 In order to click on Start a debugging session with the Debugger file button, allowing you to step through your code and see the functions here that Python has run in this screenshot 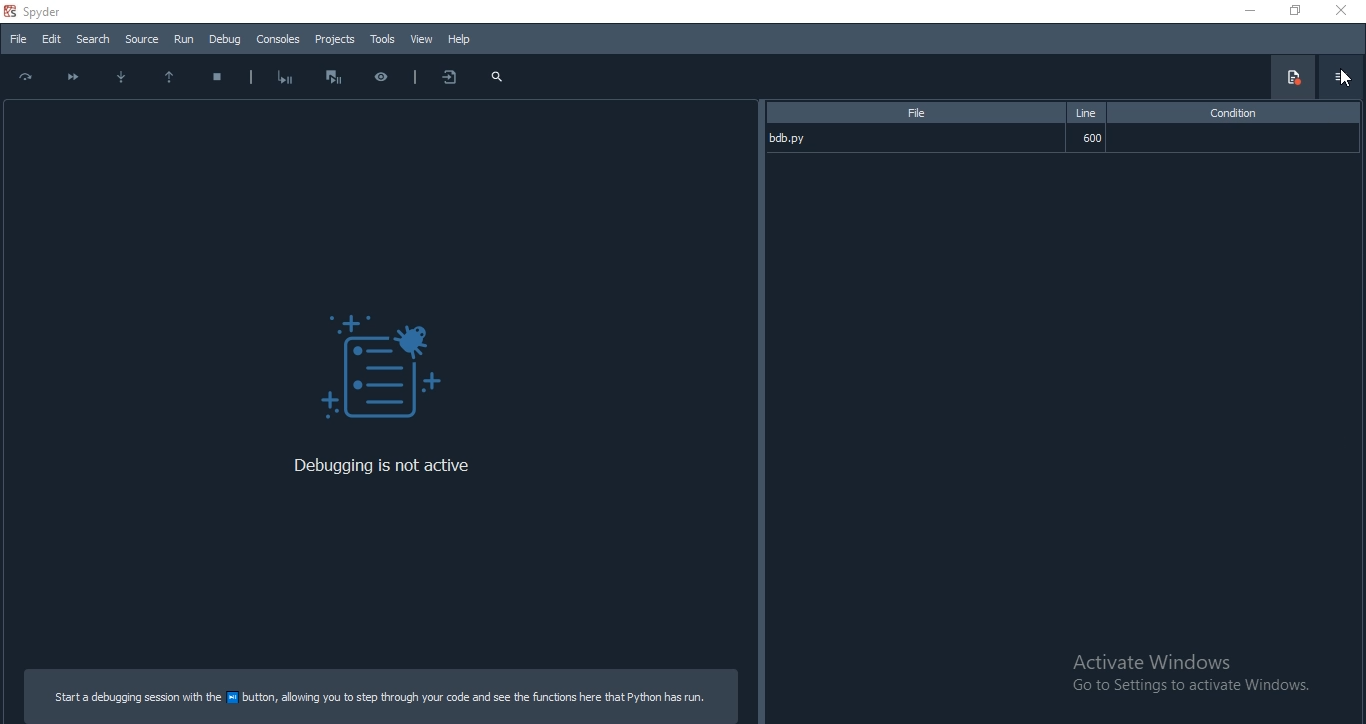, I will do `click(382, 696)`.